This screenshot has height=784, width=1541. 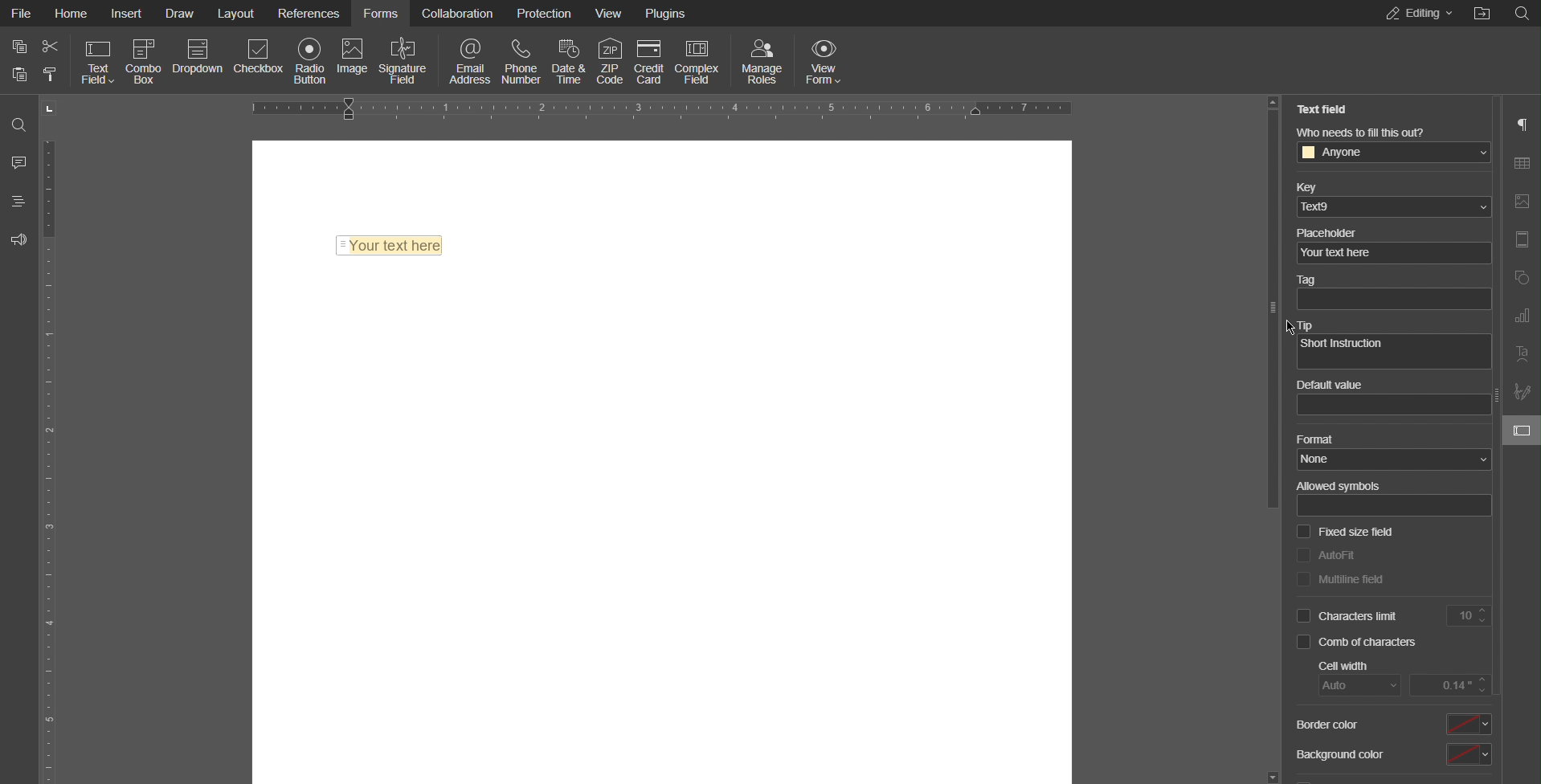 I want to click on Tag, so click(x=1320, y=280).